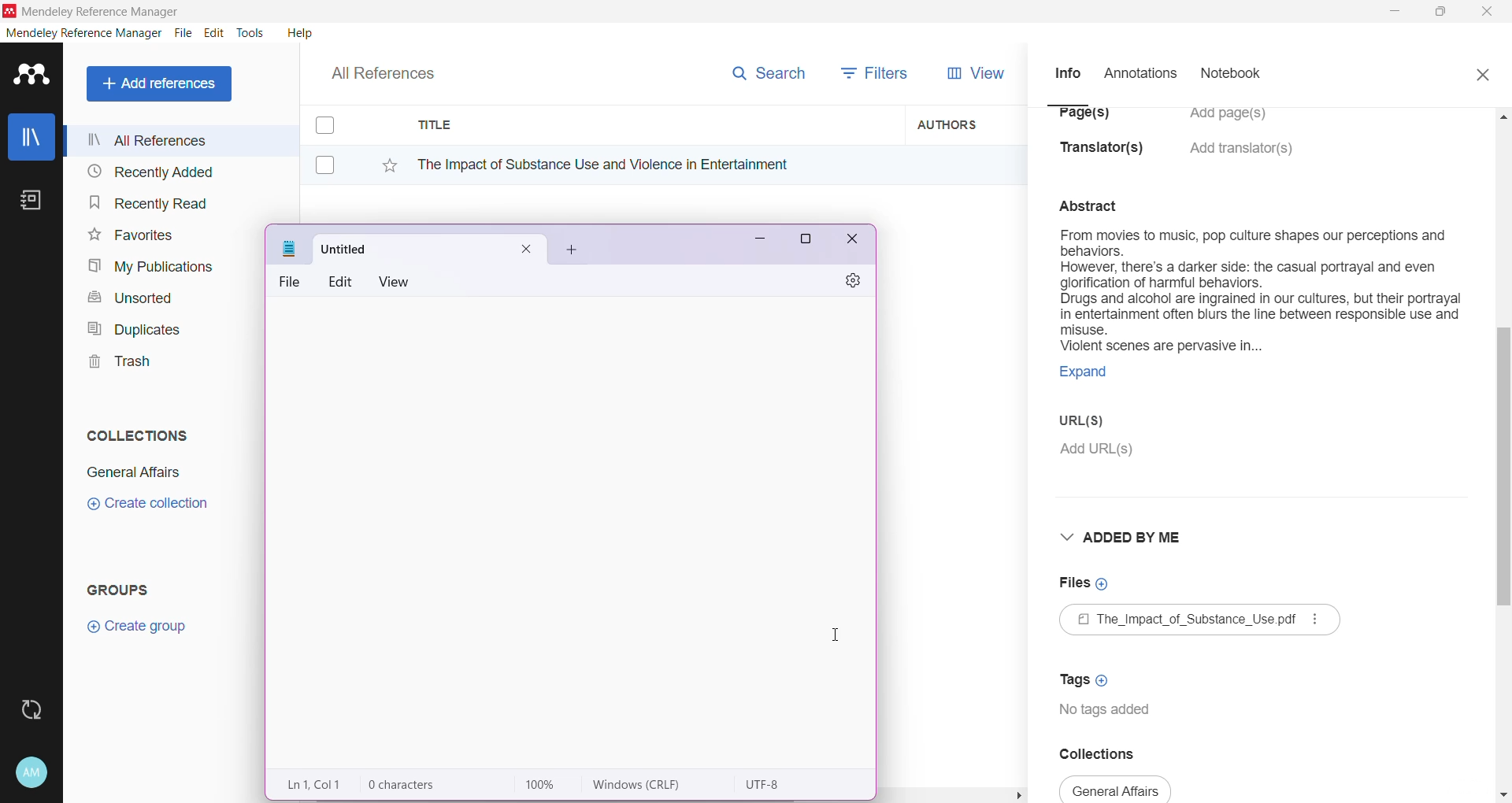 The image size is (1512, 803). Describe the element at coordinates (148, 172) in the screenshot. I see `Recently Added` at that location.